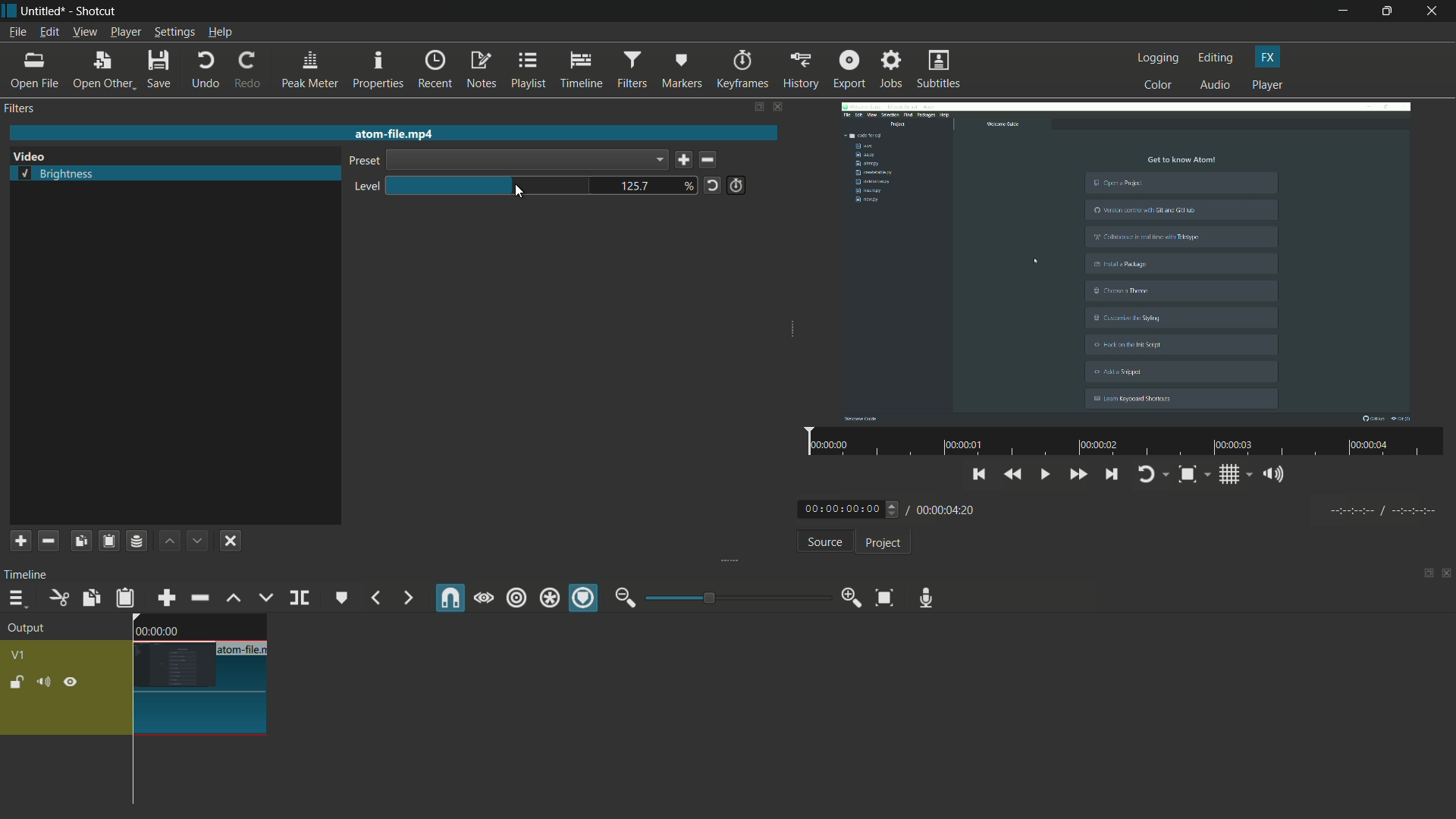 Image resolution: width=1456 pixels, height=819 pixels. Describe the element at coordinates (881, 543) in the screenshot. I see `project` at that location.